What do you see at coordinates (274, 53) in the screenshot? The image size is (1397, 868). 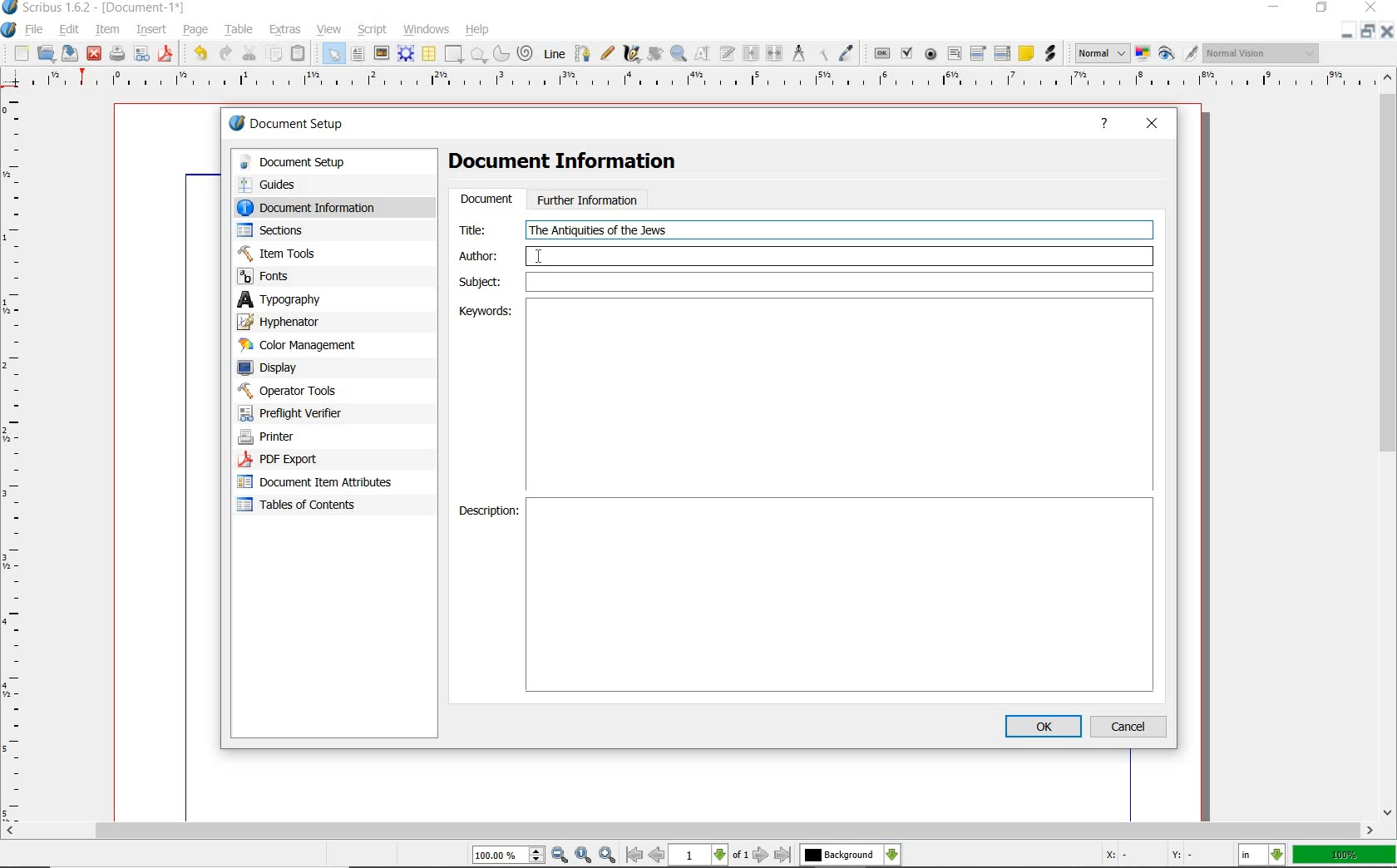 I see `copy` at bounding box center [274, 53].